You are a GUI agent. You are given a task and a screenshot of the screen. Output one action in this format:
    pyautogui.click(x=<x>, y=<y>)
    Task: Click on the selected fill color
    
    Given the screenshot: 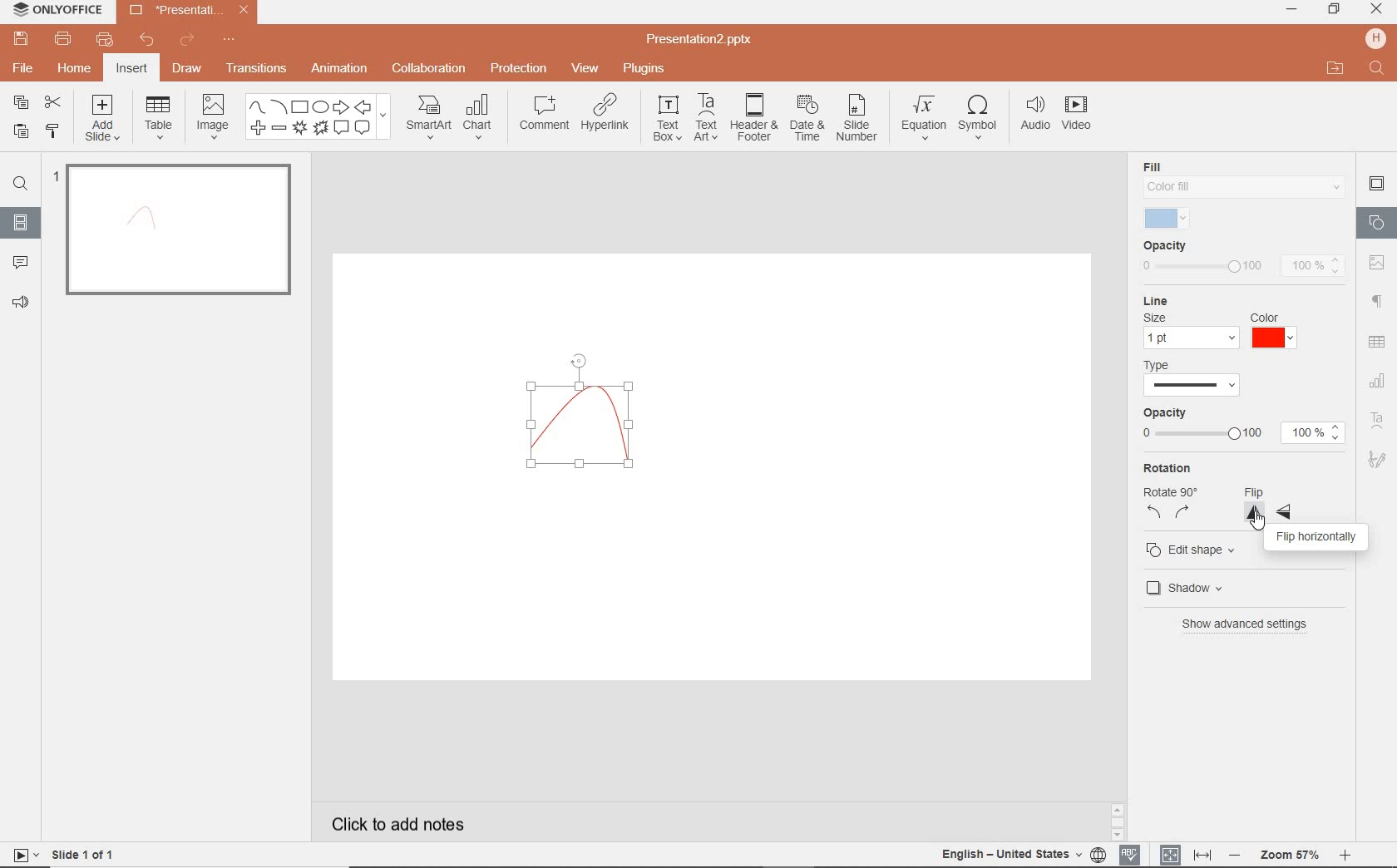 What is the action you would take?
    pyautogui.click(x=1167, y=218)
    